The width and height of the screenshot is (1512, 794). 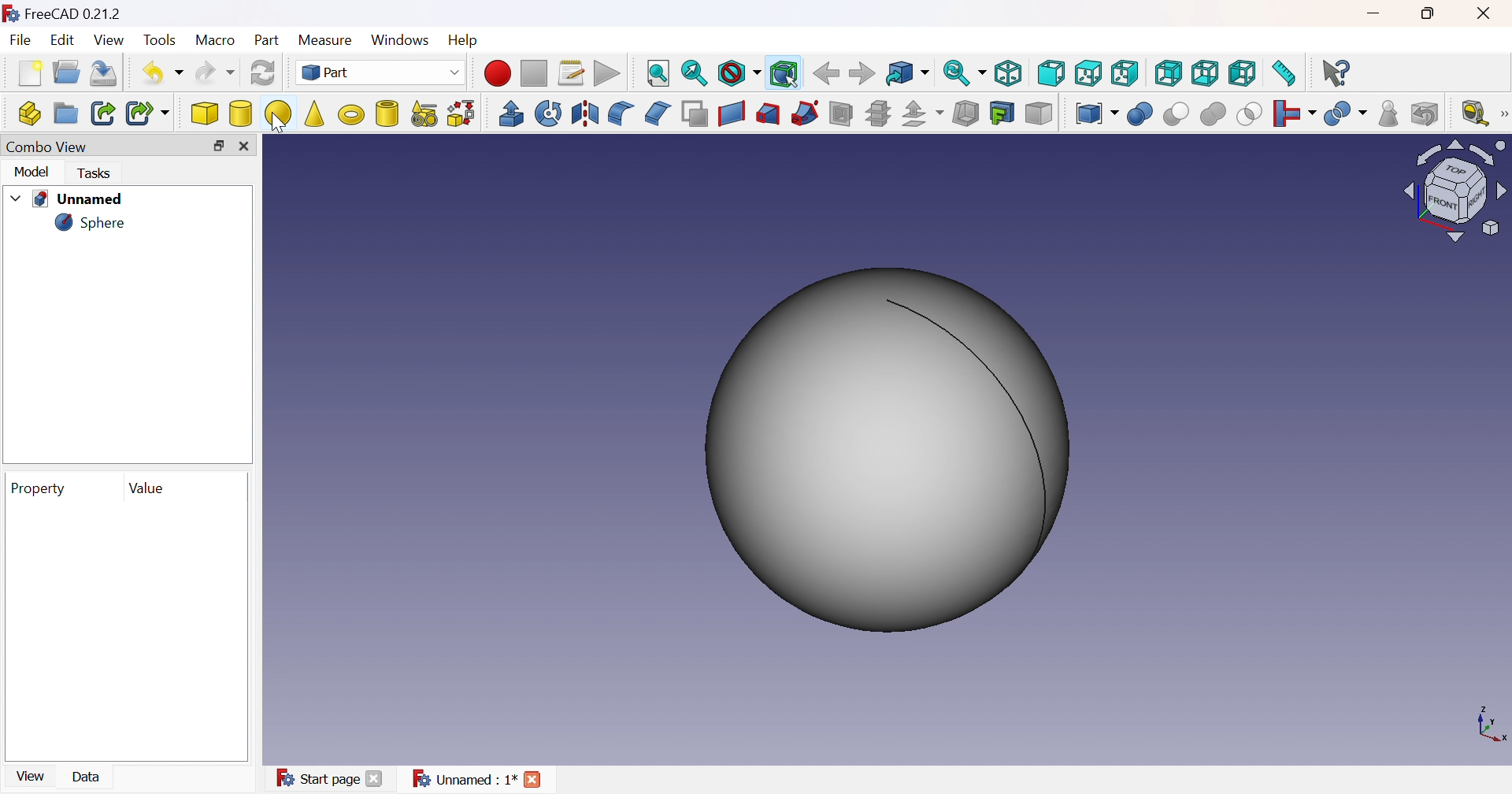 What do you see at coordinates (161, 40) in the screenshot?
I see `Tools` at bounding box center [161, 40].